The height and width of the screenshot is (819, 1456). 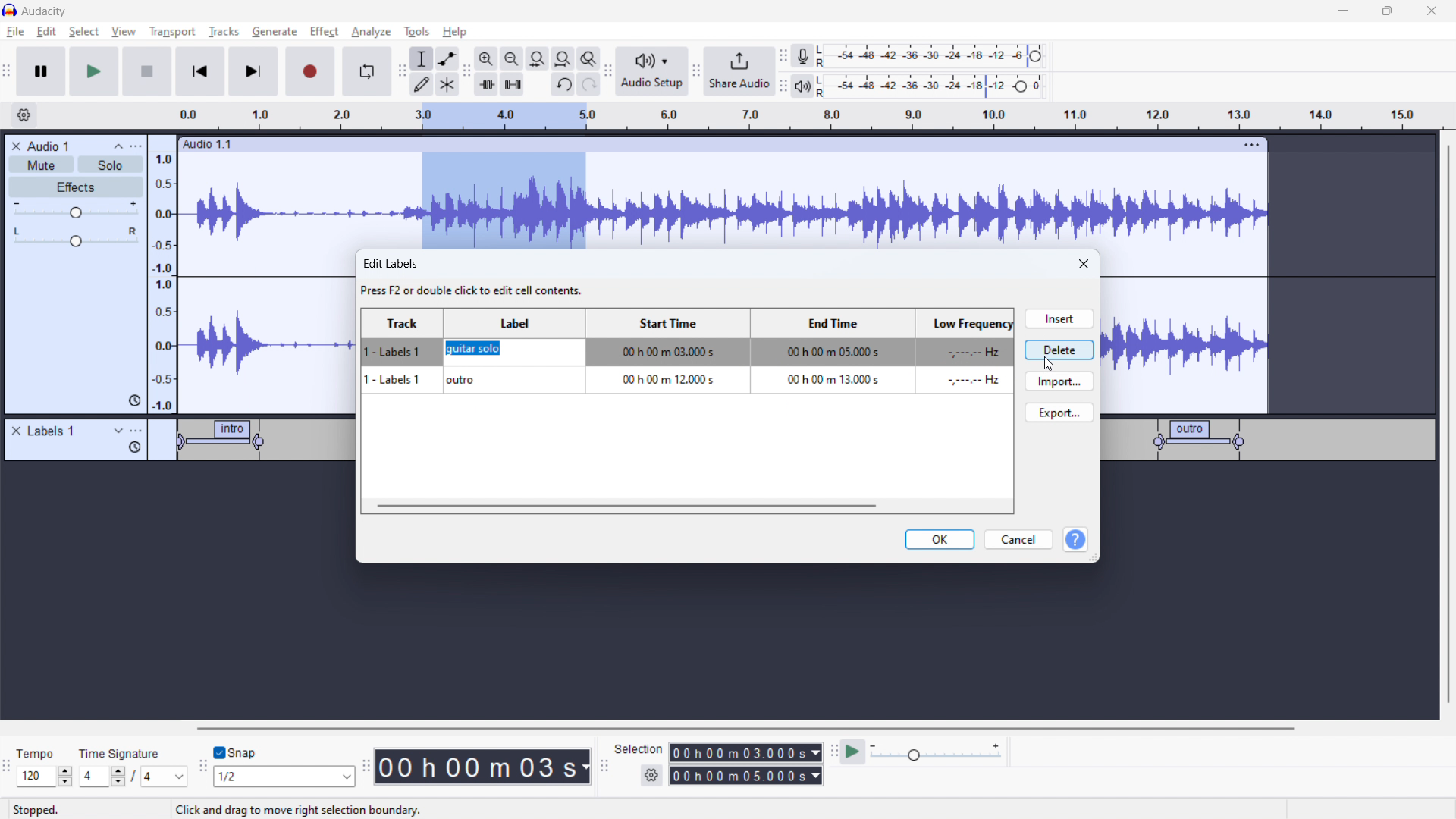 What do you see at coordinates (588, 58) in the screenshot?
I see `toggle zoom` at bounding box center [588, 58].